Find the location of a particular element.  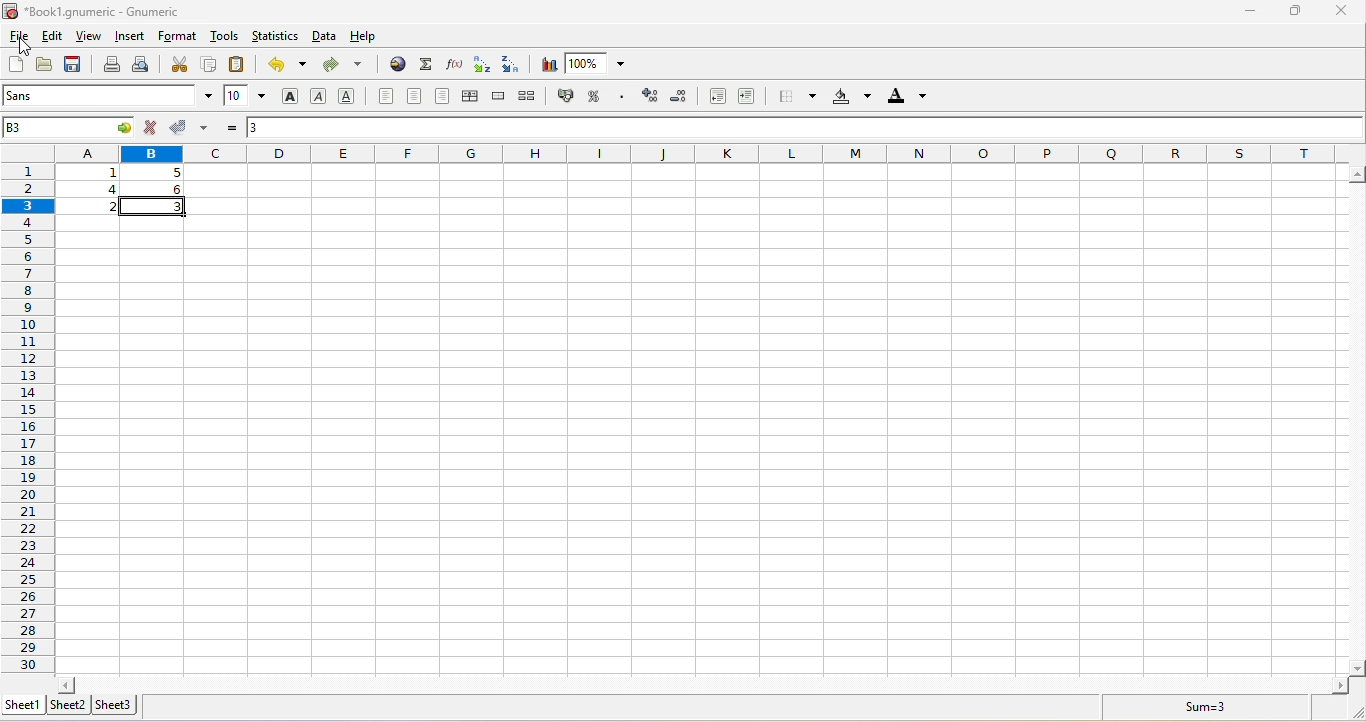

borders is located at coordinates (793, 97).